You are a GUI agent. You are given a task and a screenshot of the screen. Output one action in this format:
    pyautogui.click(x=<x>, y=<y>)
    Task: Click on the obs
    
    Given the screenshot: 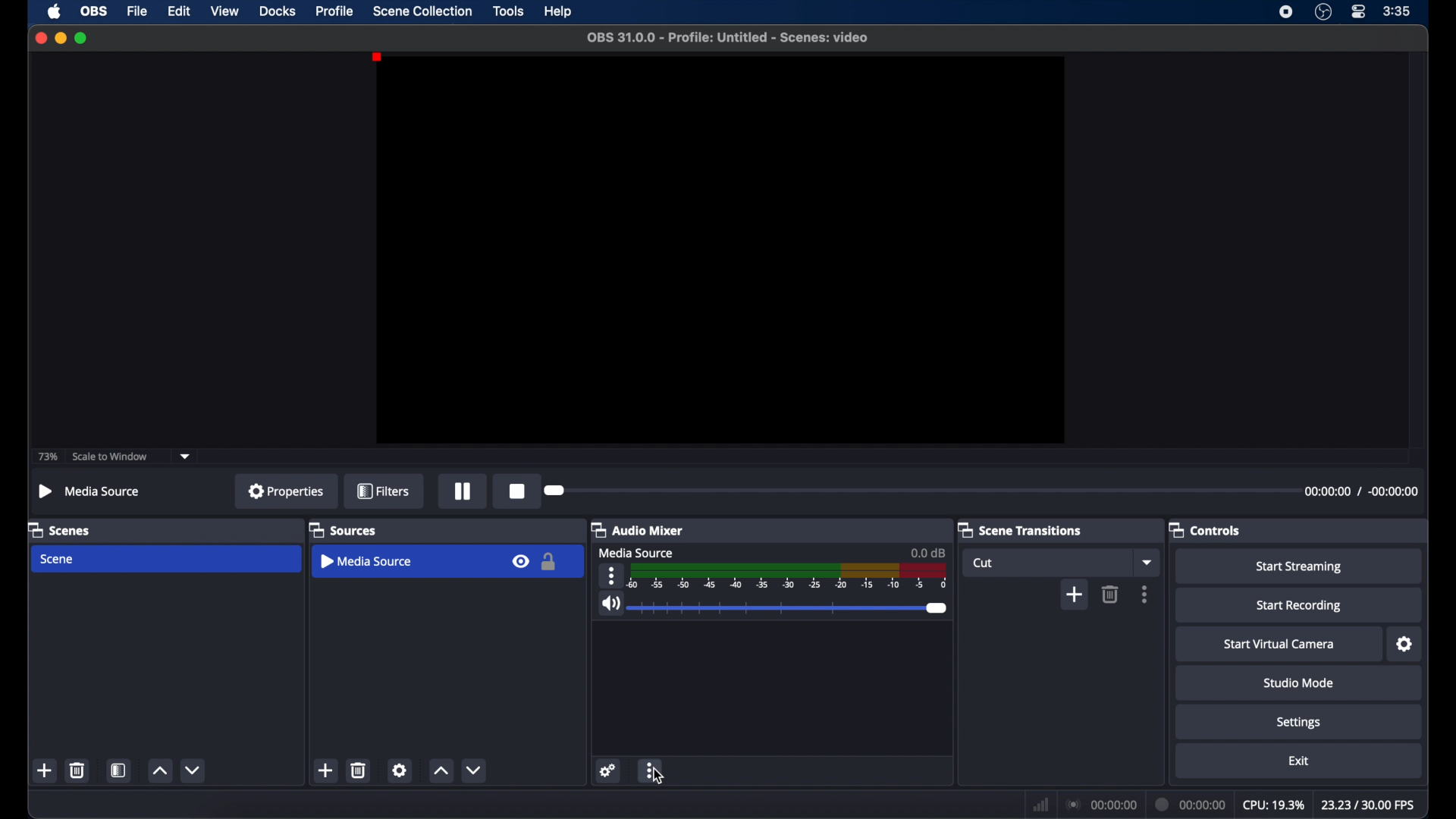 What is the action you would take?
    pyautogui.click(x=93, y=11)
    